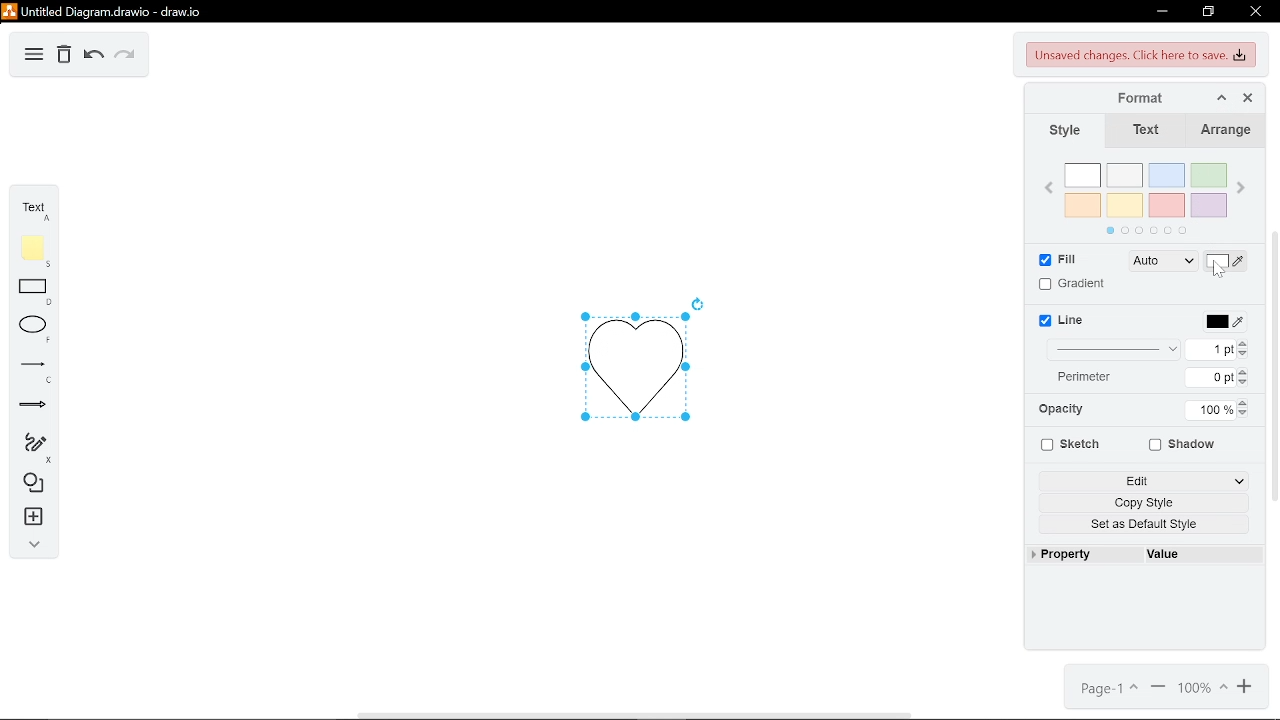  What do you see at coordinates (1170, 99) in the screenshot?
I see `format` at bounding box center [1170, 99].